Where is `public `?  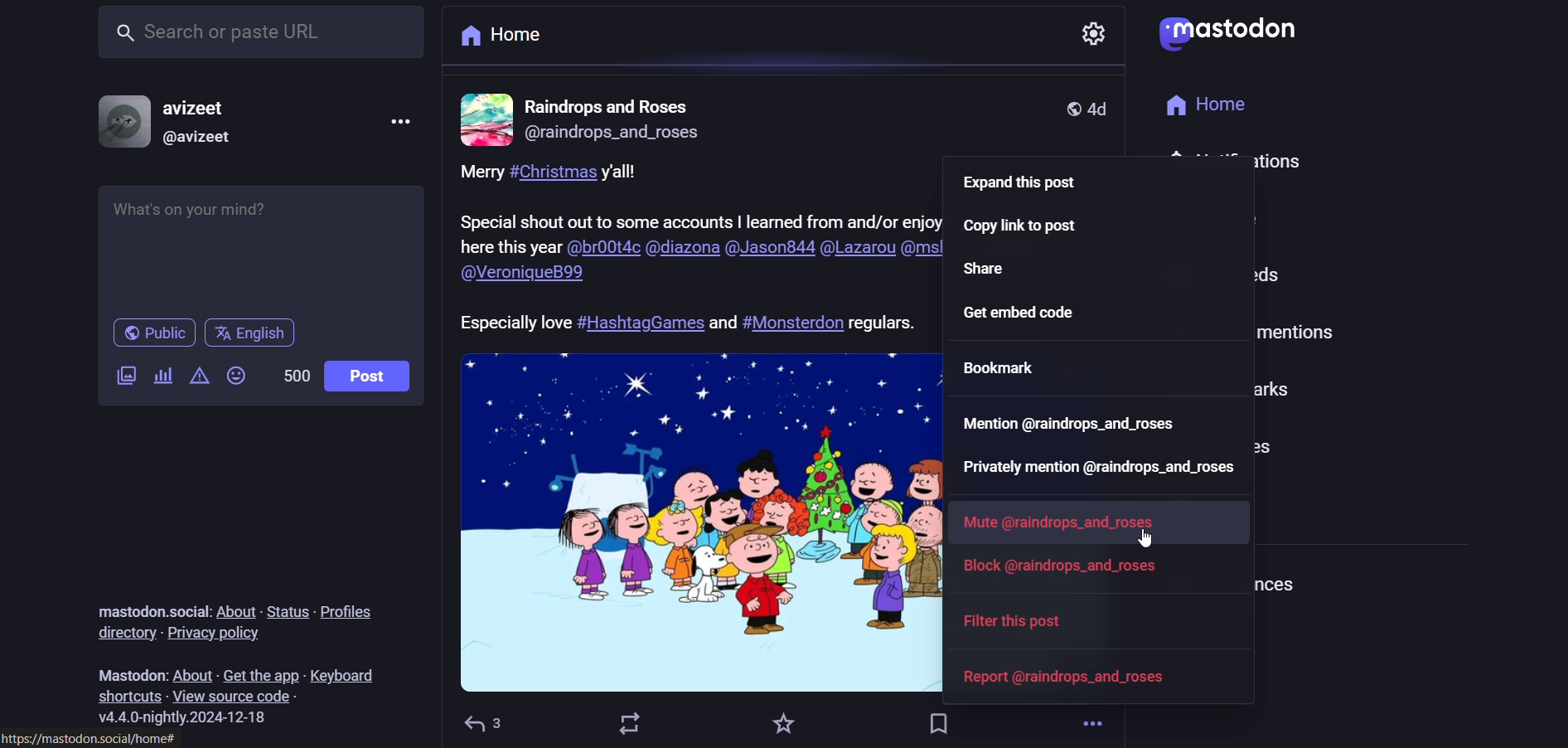
public  is located at coordinates (148, 333).